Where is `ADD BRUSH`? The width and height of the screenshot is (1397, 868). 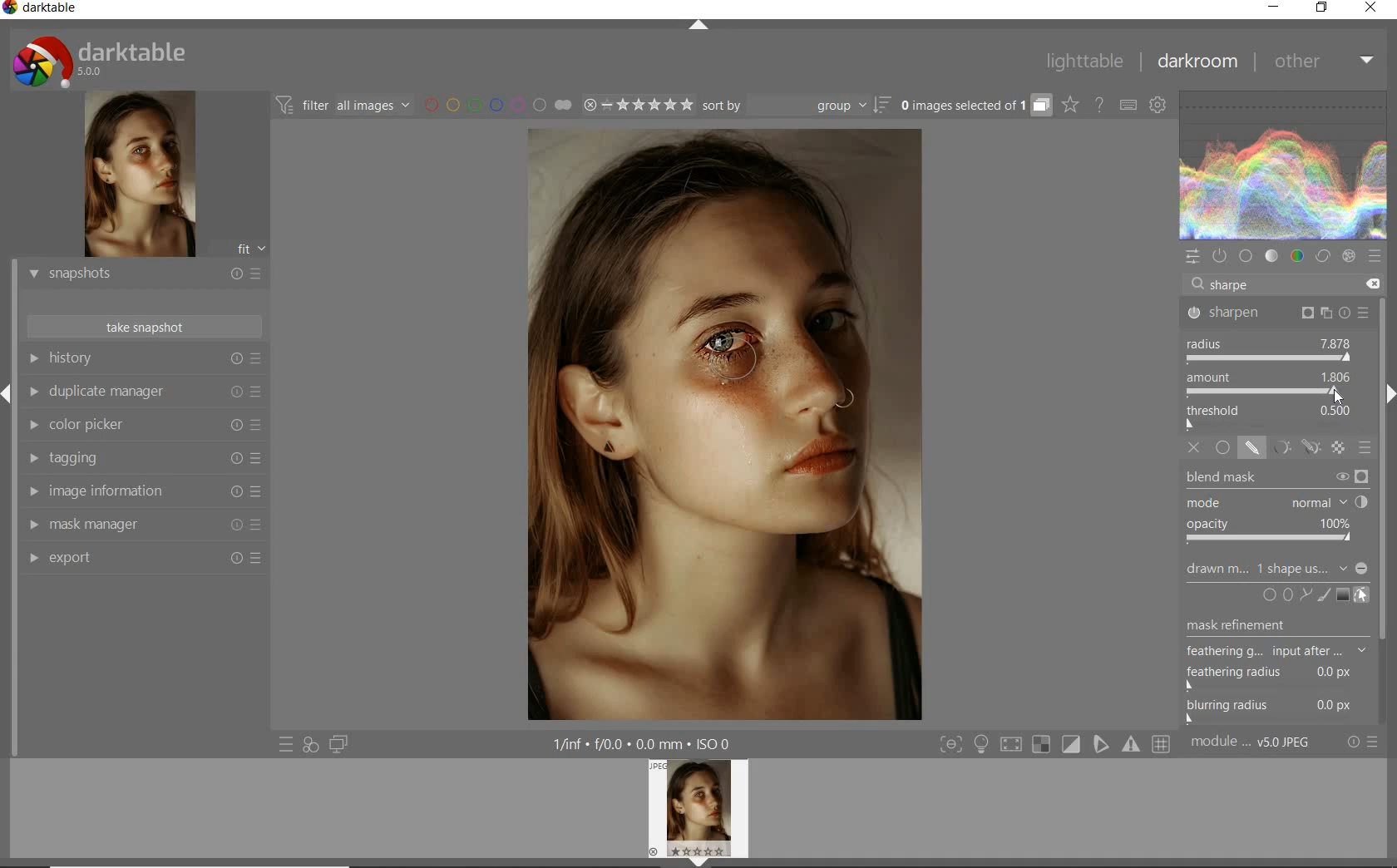
ADD BRUSH is located at coordinates (1325, 594).